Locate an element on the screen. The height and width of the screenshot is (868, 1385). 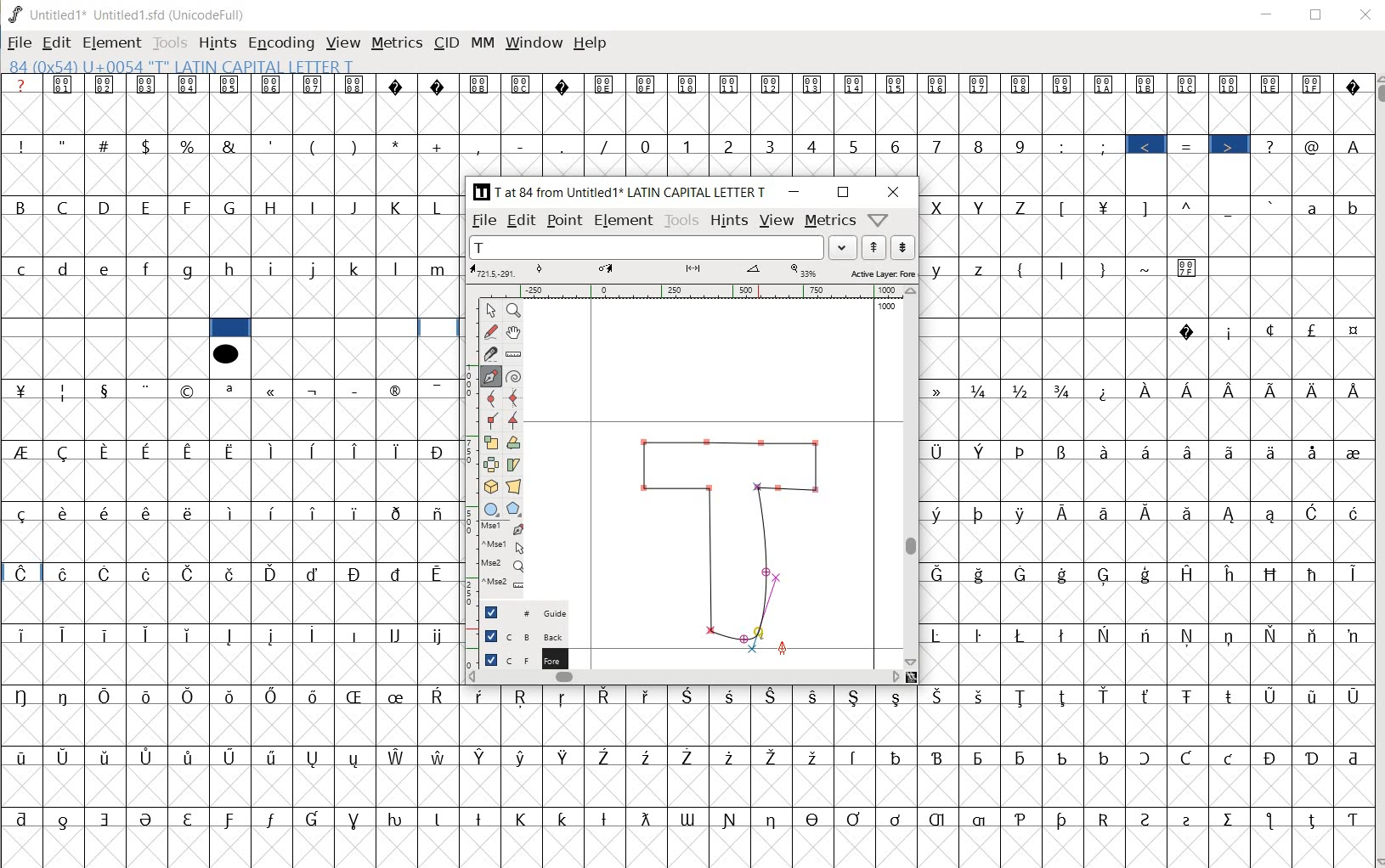
Symbol is located at coordinates (274, 573).